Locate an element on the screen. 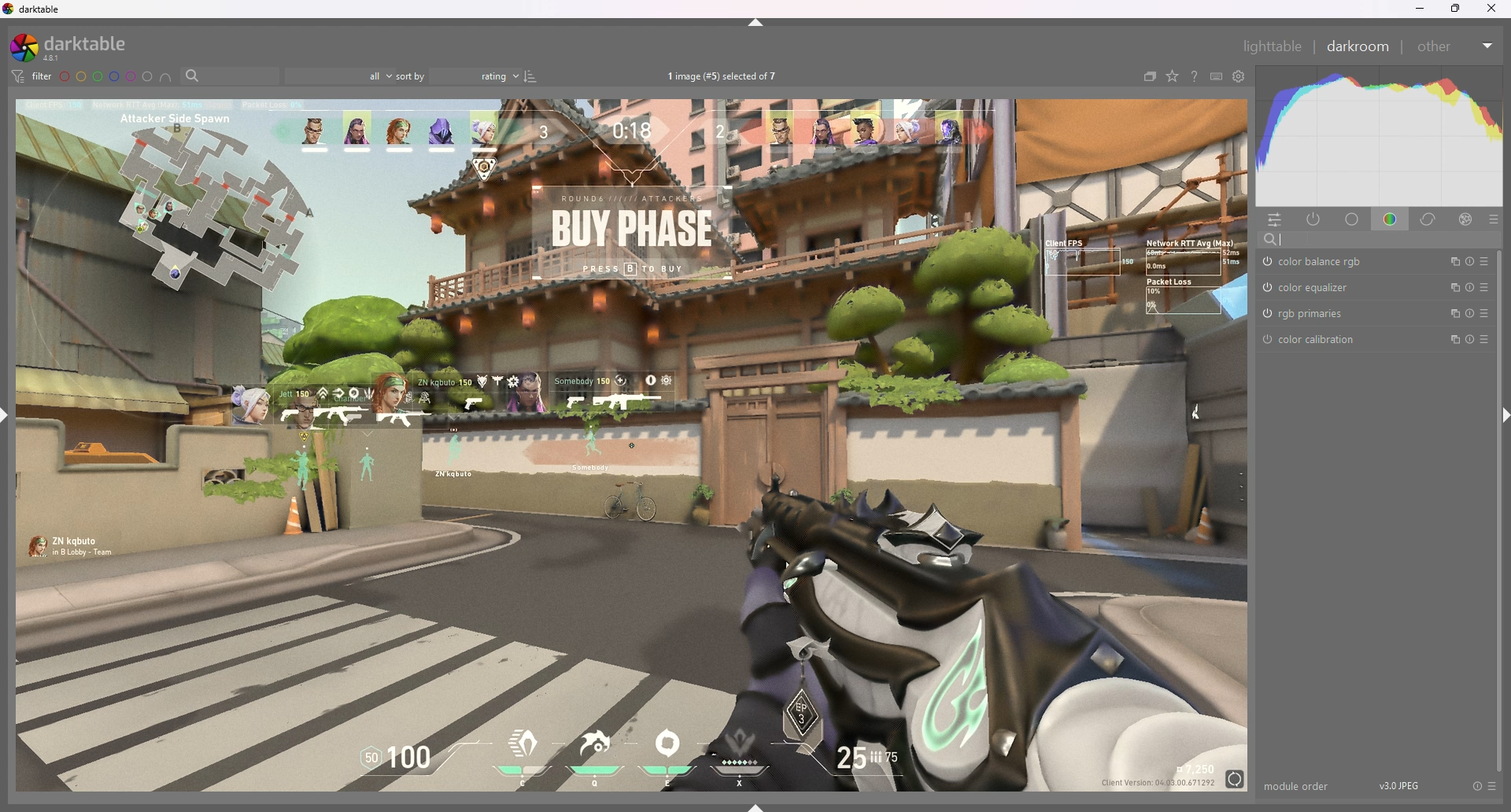 This screenshot has width=1511, height=812. heat graph is located at coordinates (1379, 136).